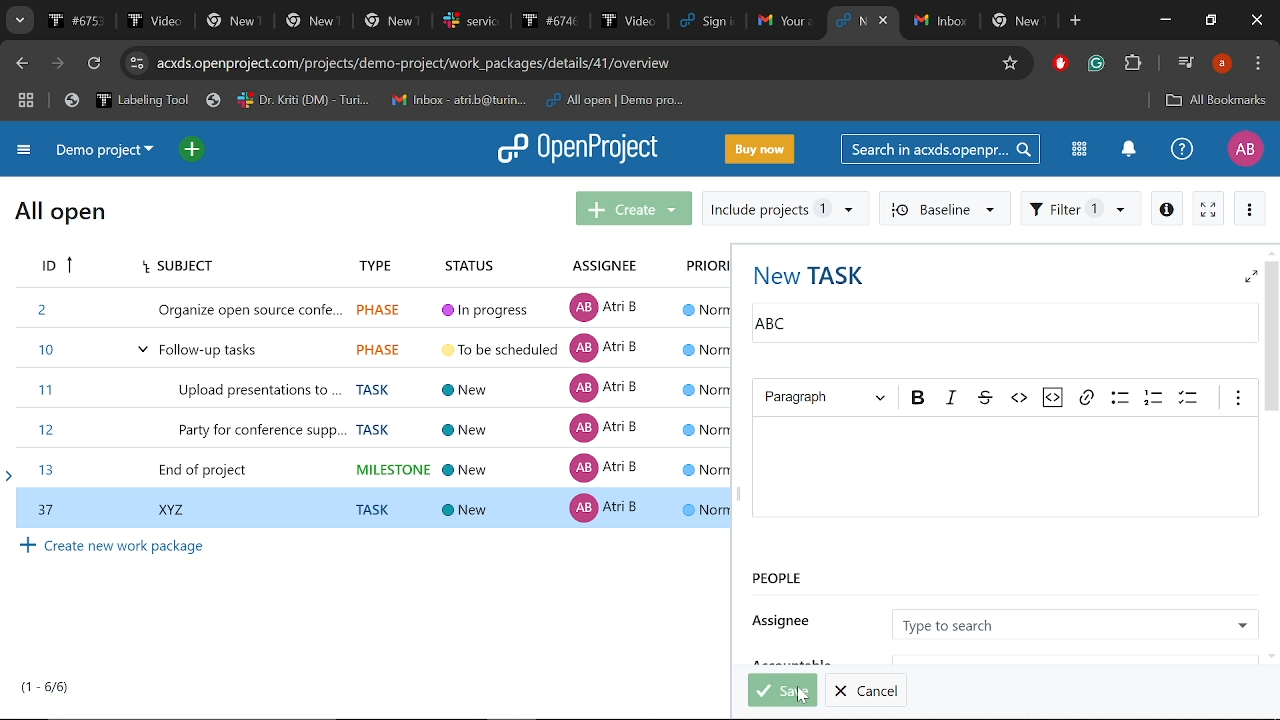 The height and width of the screenshot is (720, 1280). What do you see at coordinates (110, 151) in the screenshot?
I see `Current project` at bounding box center [110, 151].